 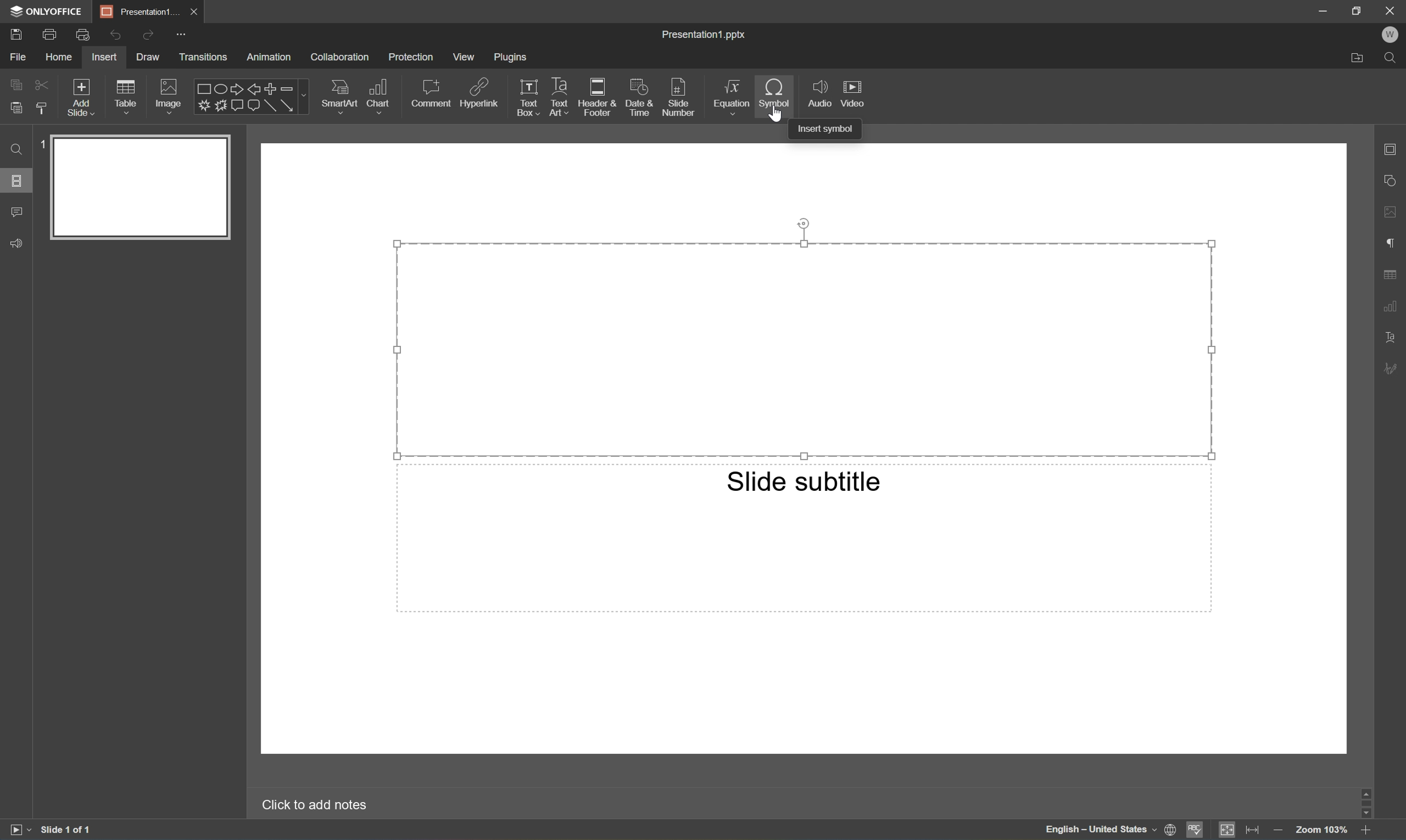 I want to click on Shape settings, so click(x=1390, y=179).